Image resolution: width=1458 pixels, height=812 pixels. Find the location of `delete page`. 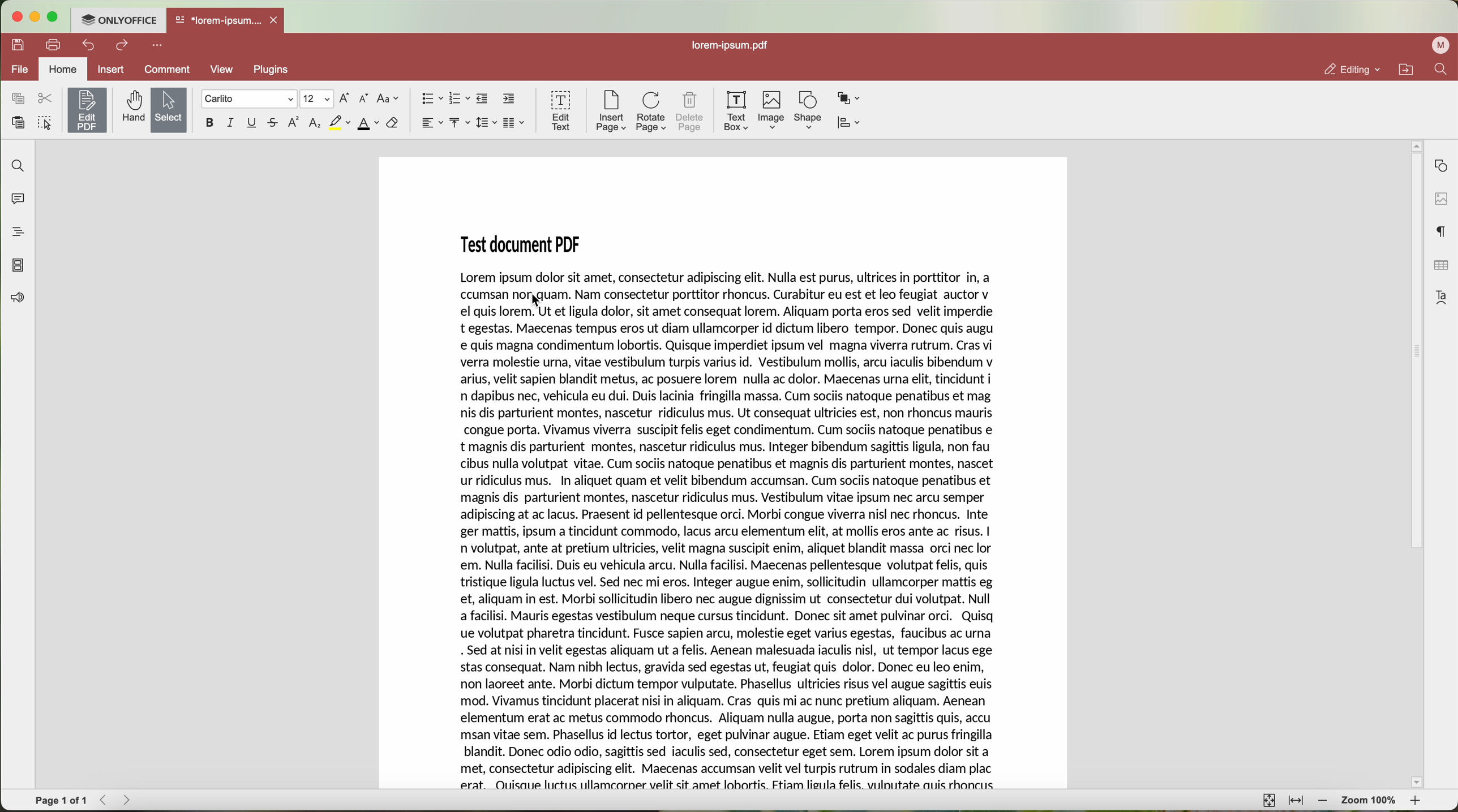

delete page is located at coordinates (691, 113).